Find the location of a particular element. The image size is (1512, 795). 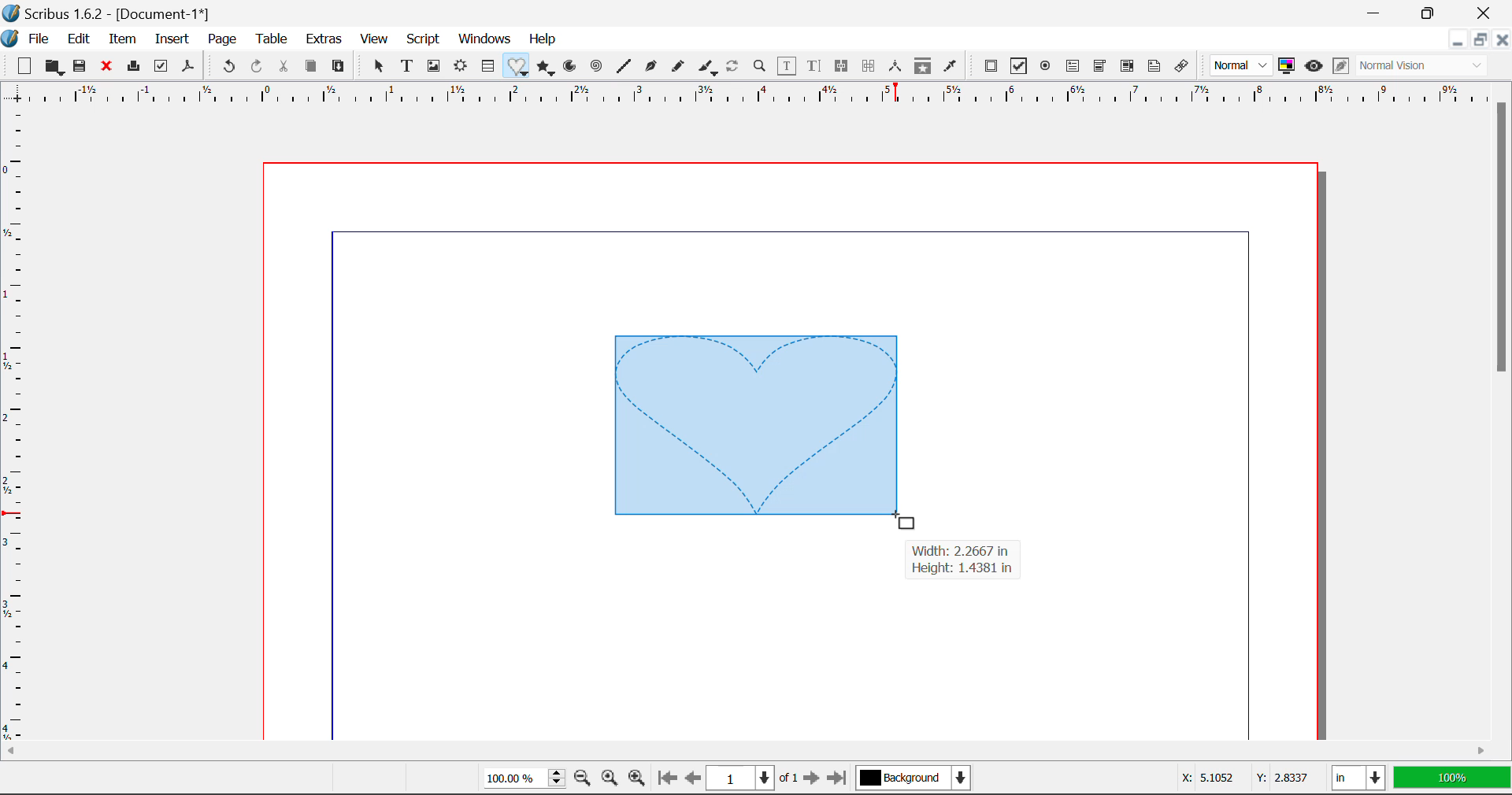

Insert Special Shapes is located at coordinates (518, 68).